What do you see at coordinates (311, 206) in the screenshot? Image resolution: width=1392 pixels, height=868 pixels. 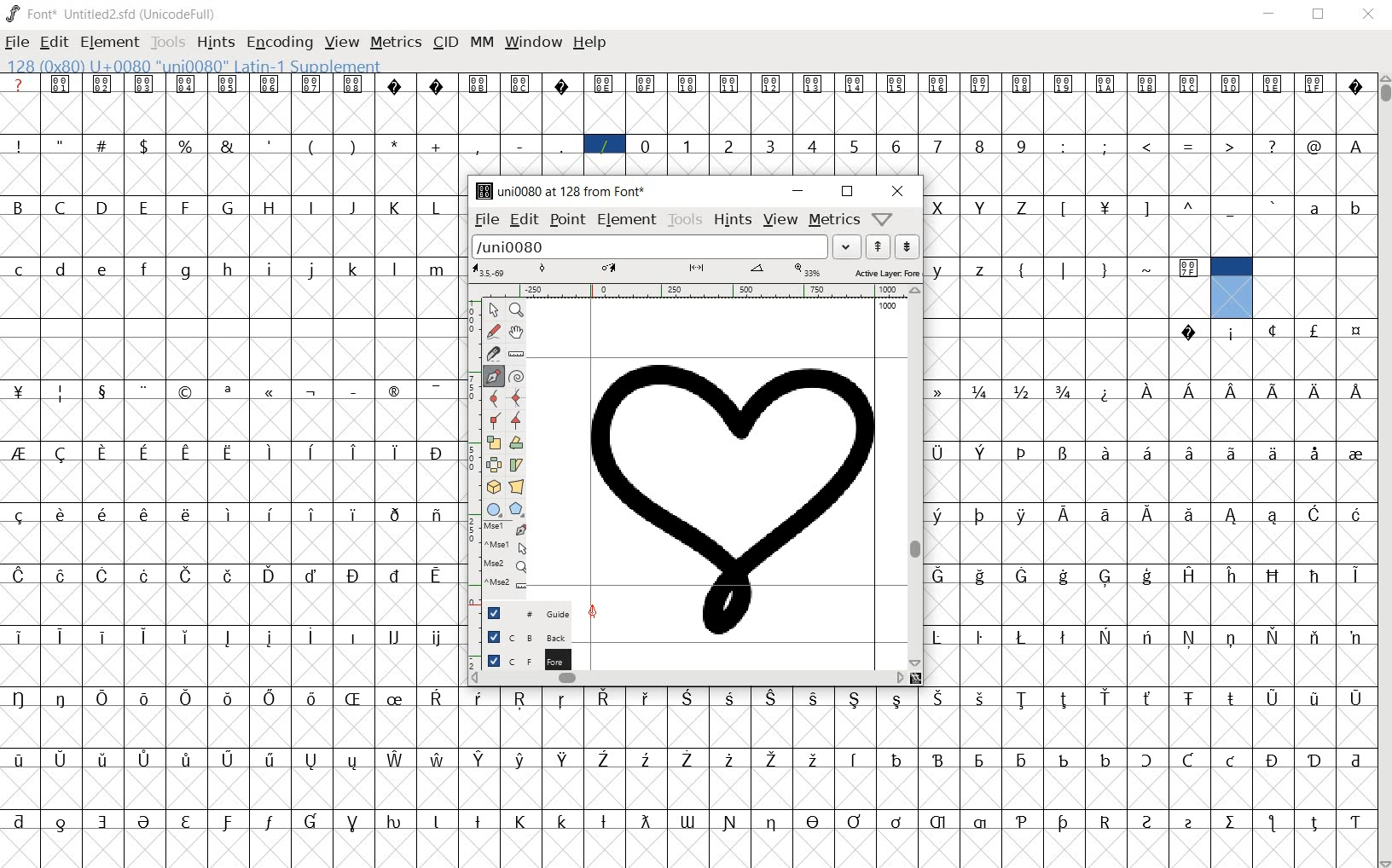 I see `glyph` at bounding box center [311, 206].